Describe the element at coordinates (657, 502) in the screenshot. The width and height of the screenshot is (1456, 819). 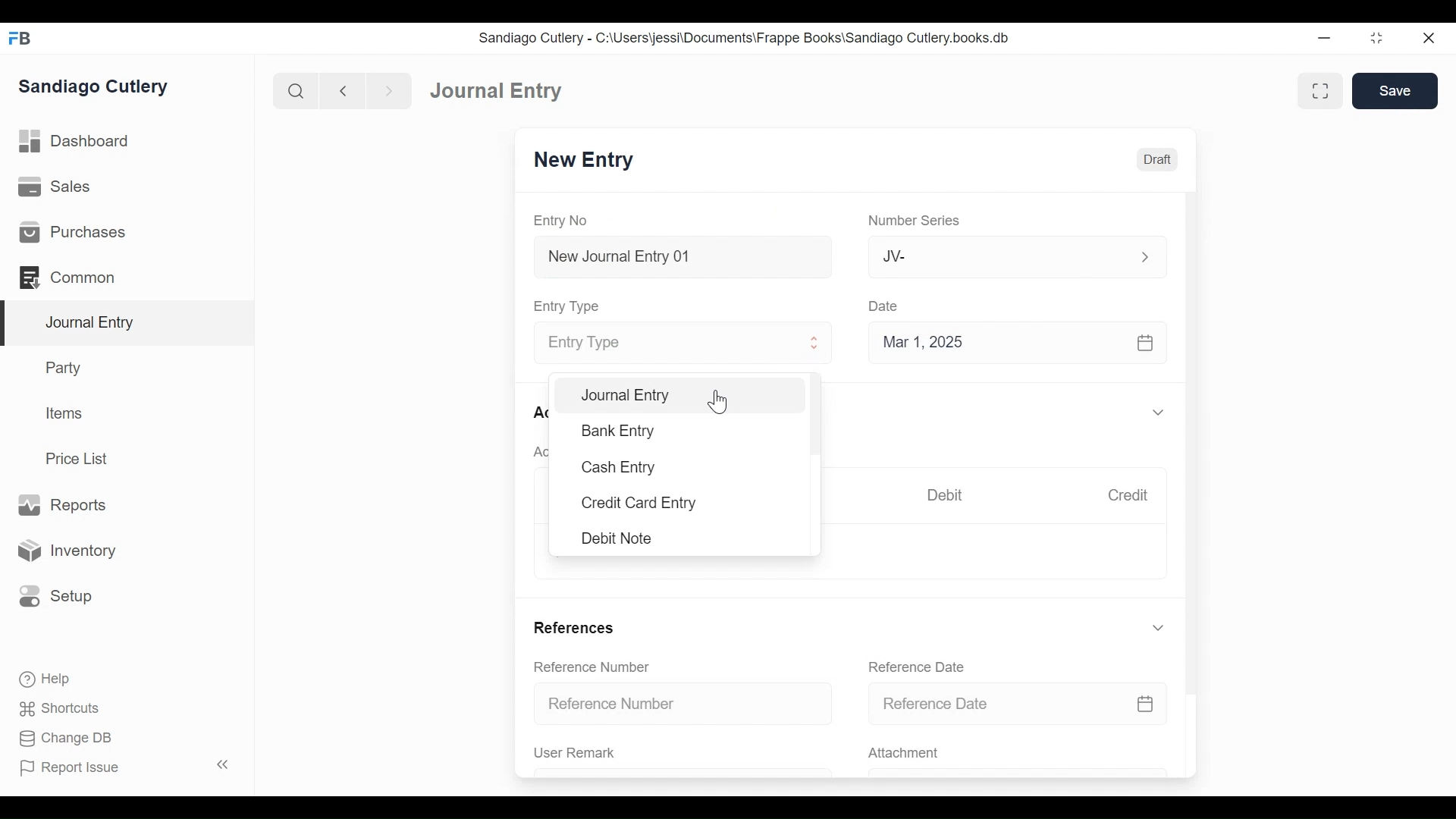
I see `Credit Card Entry` at that location.